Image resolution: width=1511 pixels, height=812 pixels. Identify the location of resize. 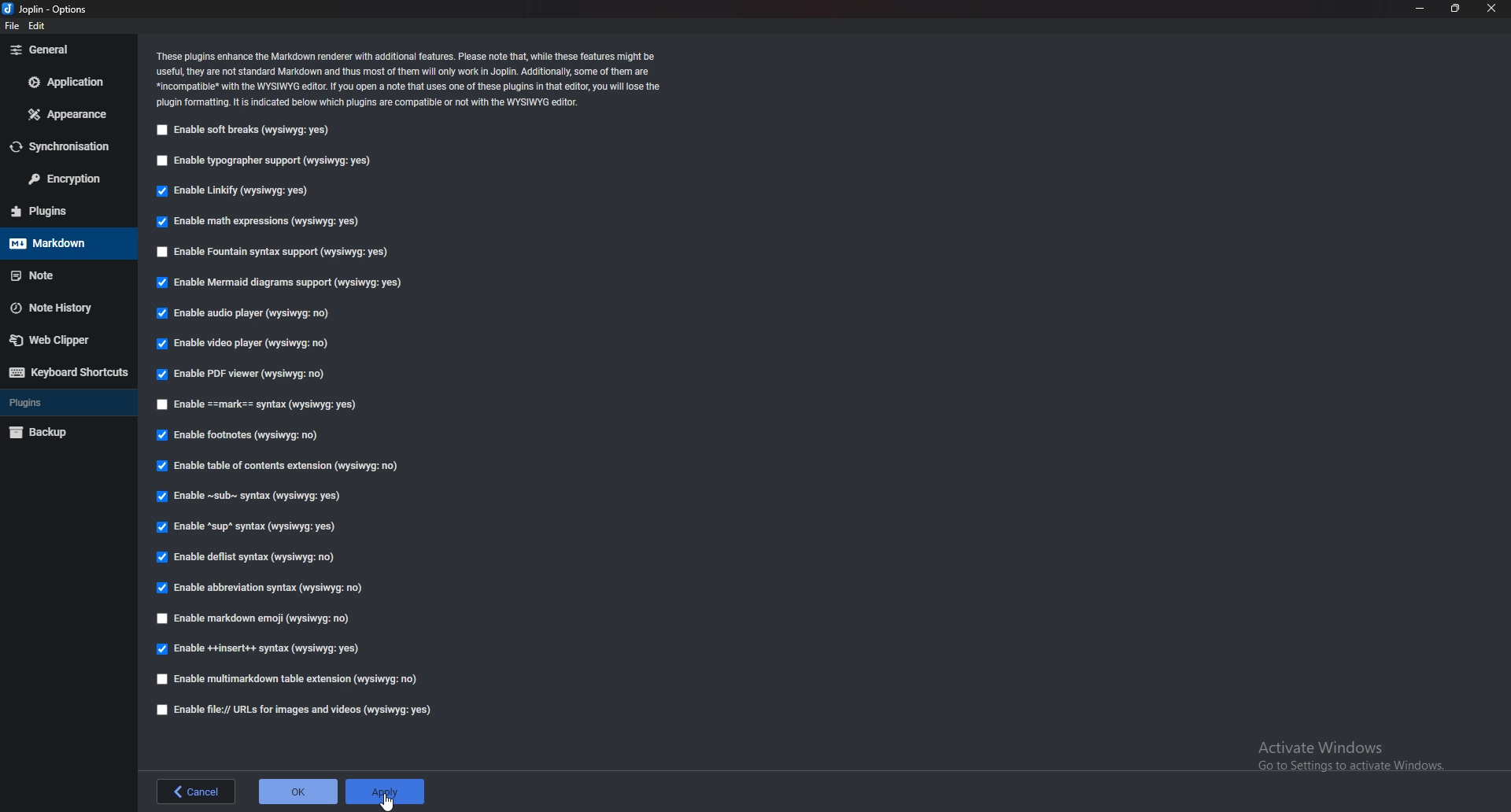
(1455, 9).